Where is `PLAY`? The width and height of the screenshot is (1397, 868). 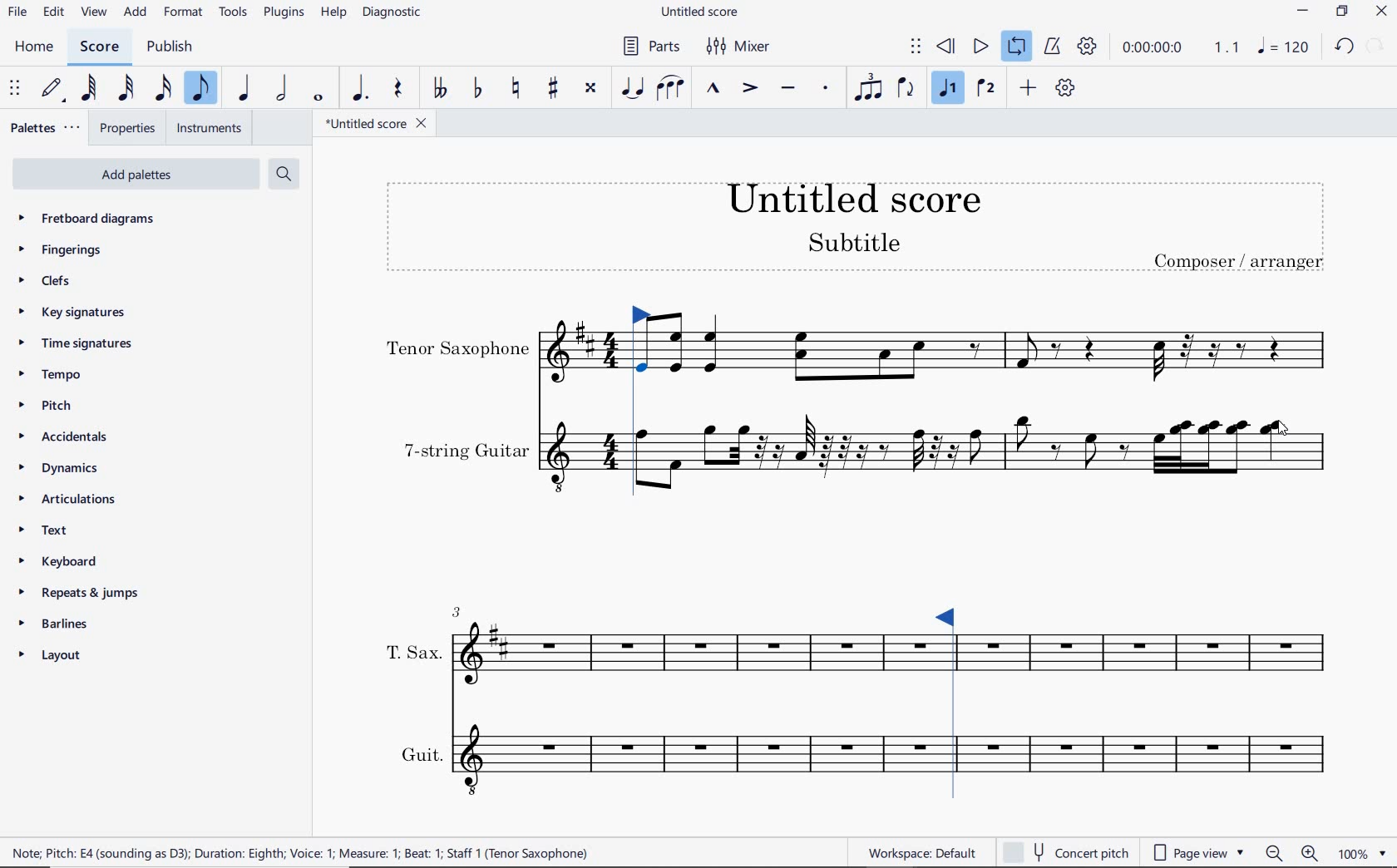
PLAY is located at coordinates (980, 47).